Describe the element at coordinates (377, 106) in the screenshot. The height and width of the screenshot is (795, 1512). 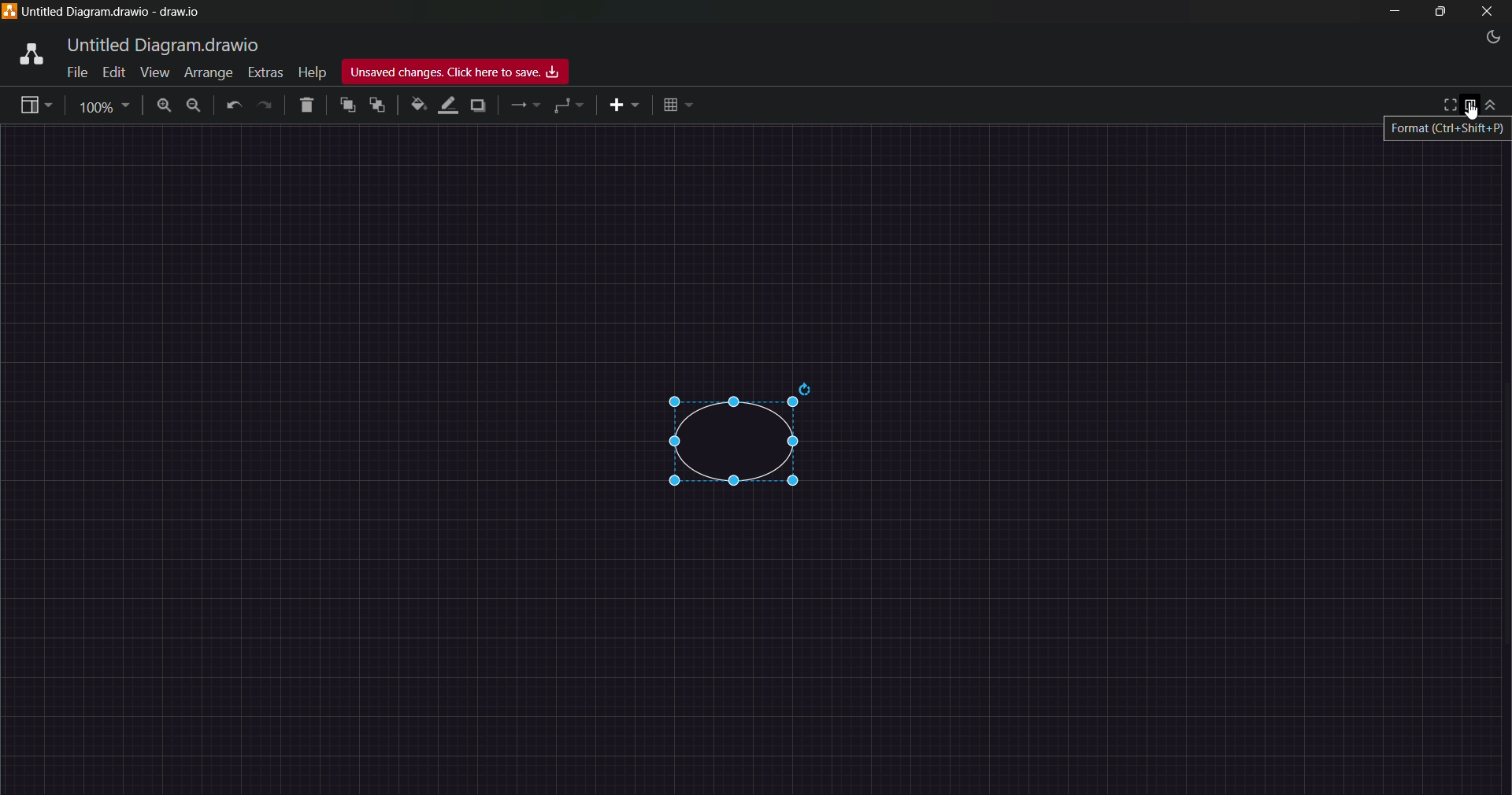
I see `to back` at that location.